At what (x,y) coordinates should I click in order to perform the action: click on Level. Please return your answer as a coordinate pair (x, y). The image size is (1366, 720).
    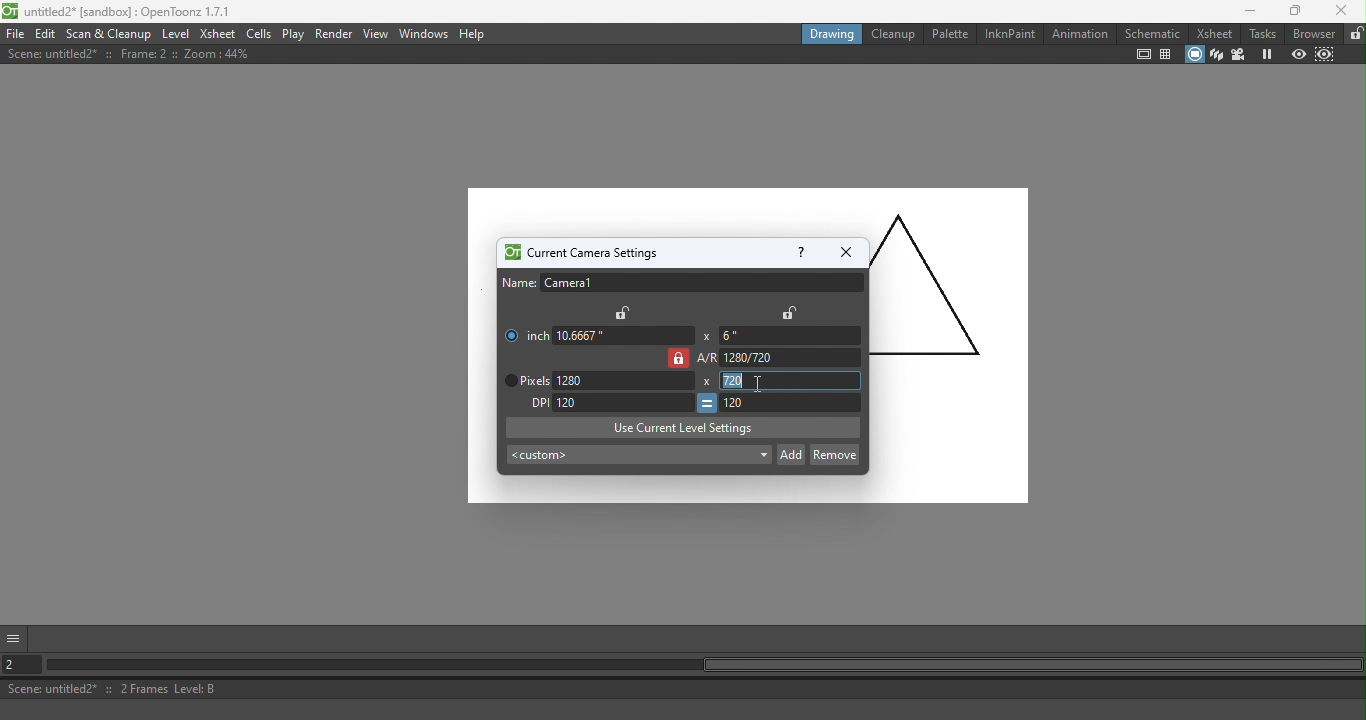
    Looking at the image, I should click on (177, 32).